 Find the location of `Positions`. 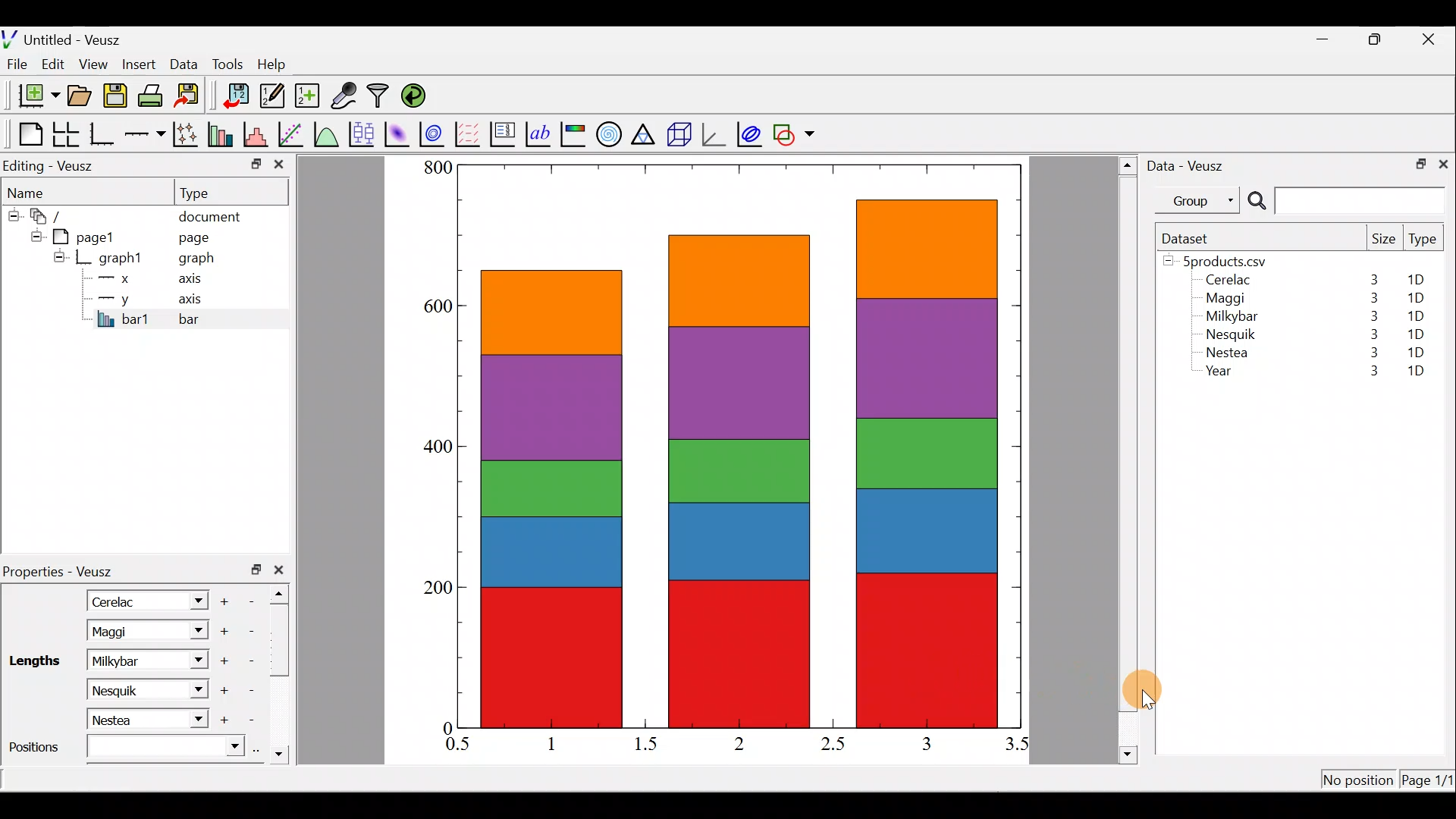

Positions is located at coordinates (124, 750).